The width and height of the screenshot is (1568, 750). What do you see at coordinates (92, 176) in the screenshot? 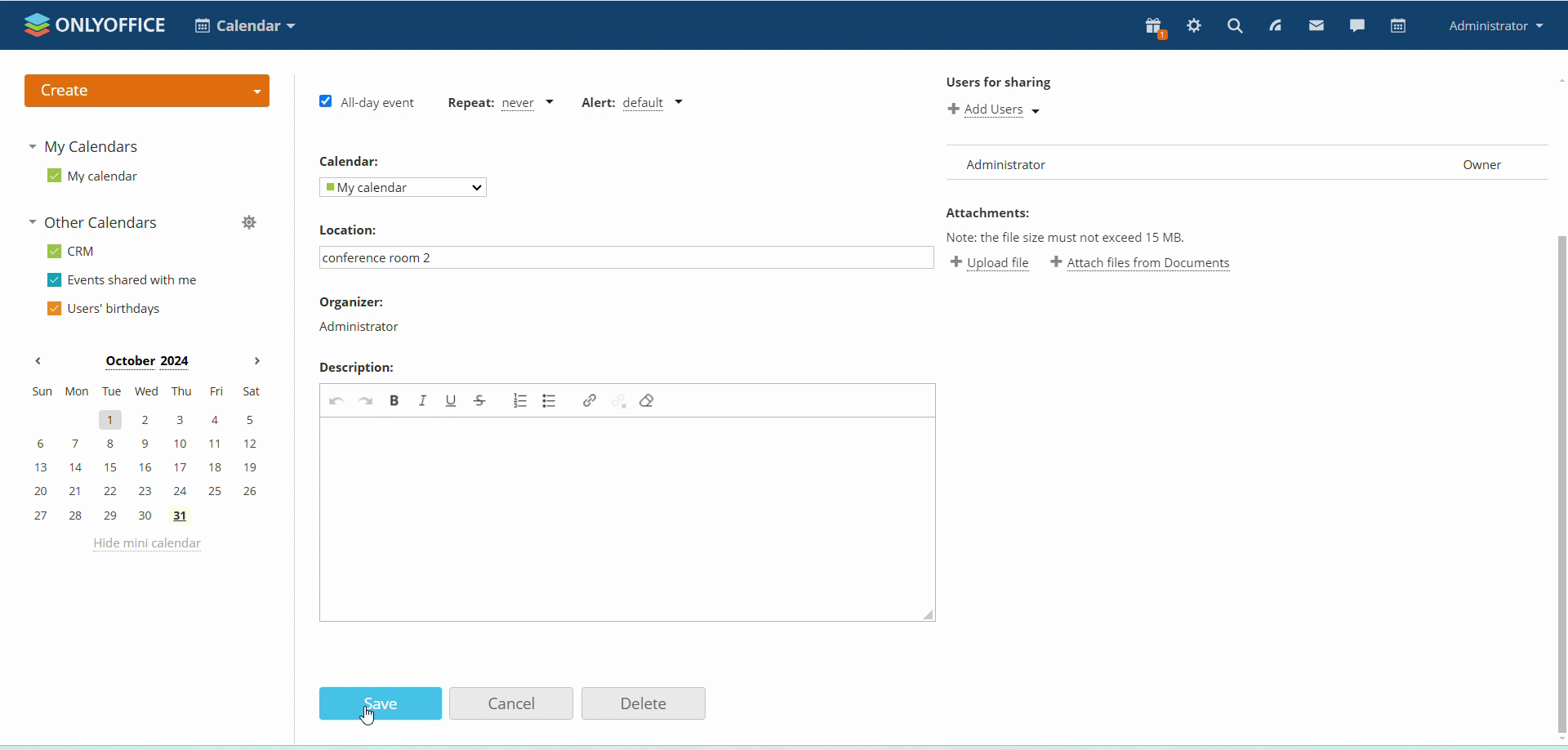
I see `my calendar` at bounding box center [92, 176].